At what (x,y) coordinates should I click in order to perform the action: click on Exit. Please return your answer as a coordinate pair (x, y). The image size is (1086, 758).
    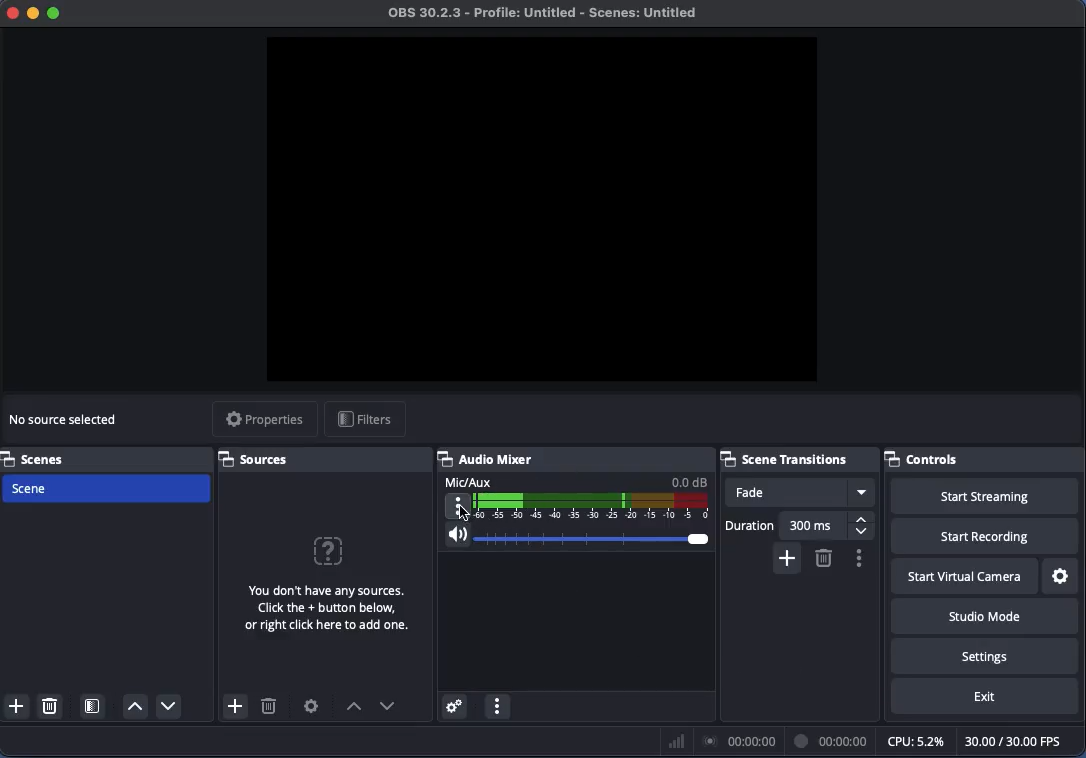
    Looking at the image, I should click on (985, 697).